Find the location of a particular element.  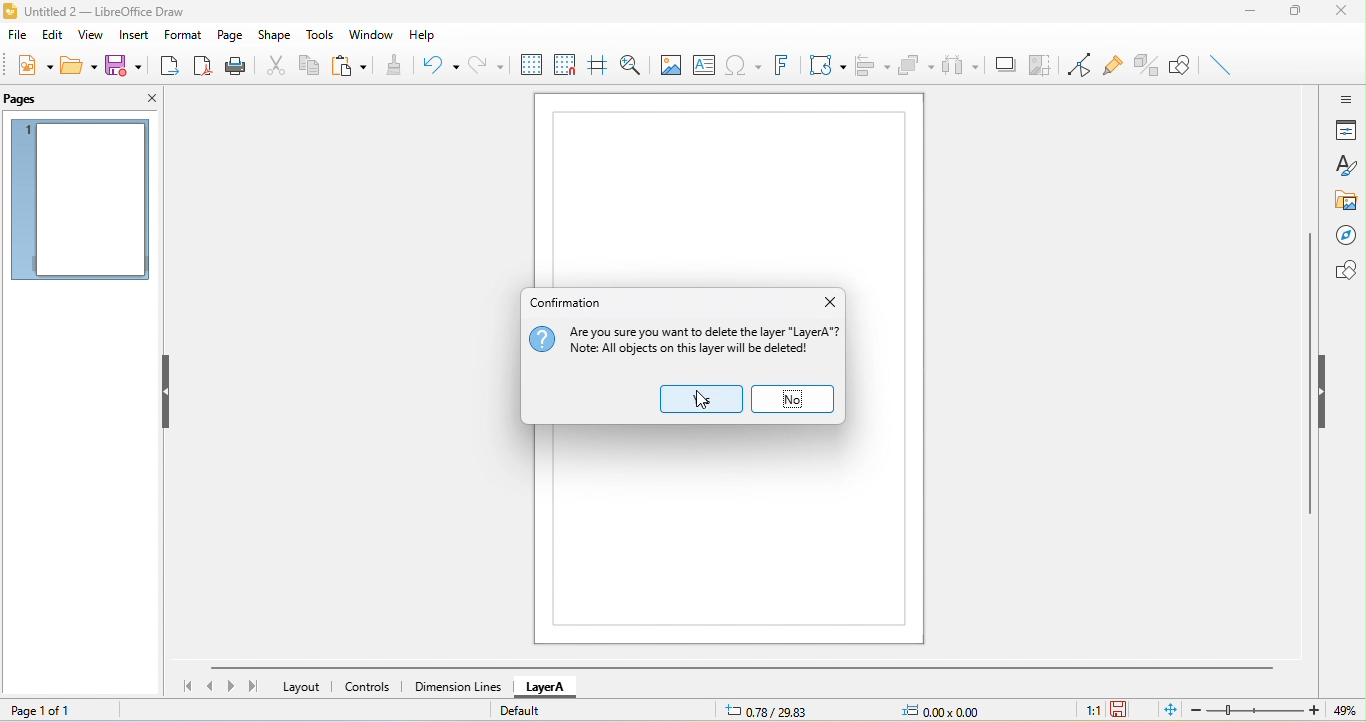

horizontal scroll bar is located at coordinates (744, 667).